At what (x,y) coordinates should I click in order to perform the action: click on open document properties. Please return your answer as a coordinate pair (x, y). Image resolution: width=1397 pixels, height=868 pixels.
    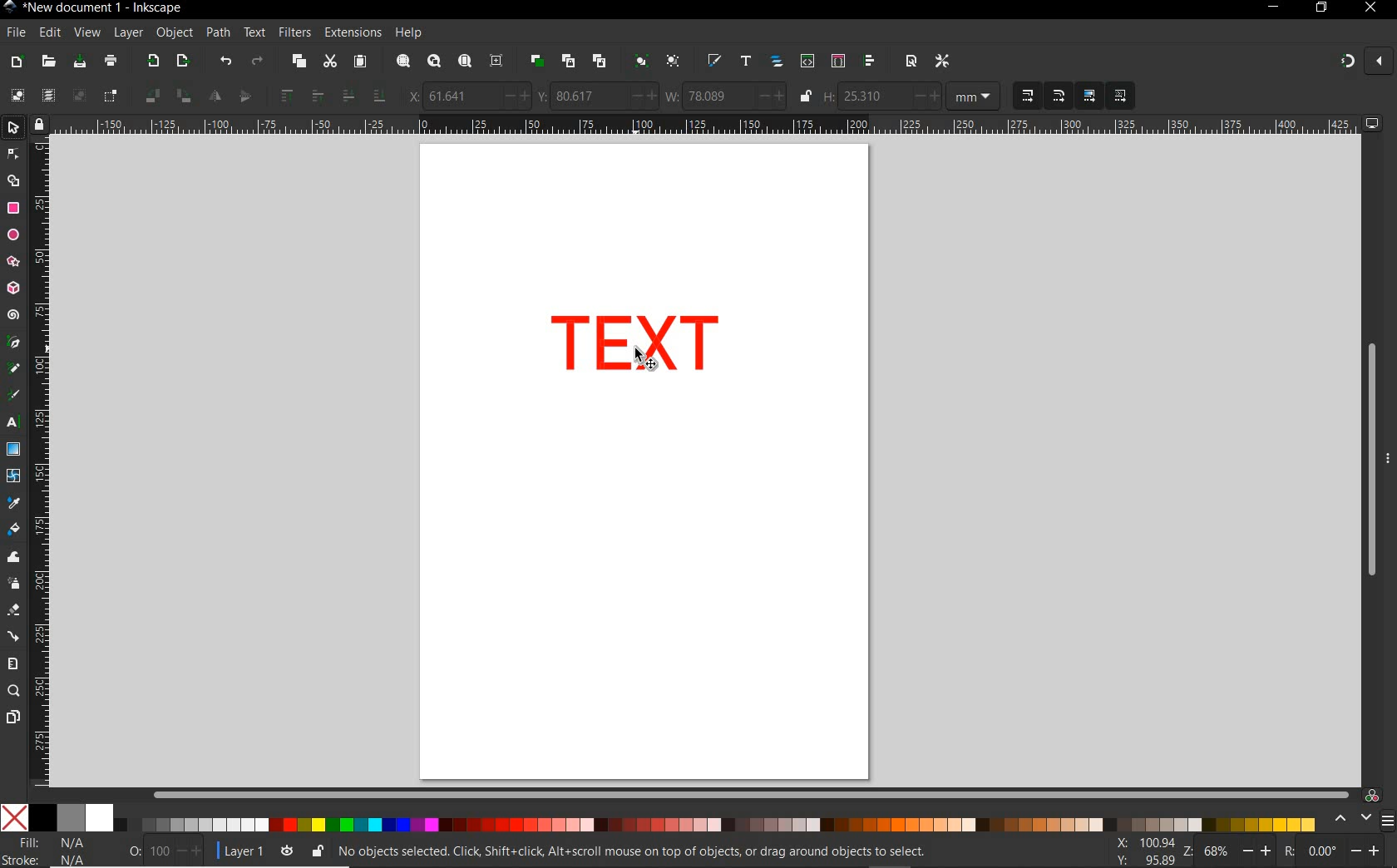
    Looking at the image, I should click on (911, 61).